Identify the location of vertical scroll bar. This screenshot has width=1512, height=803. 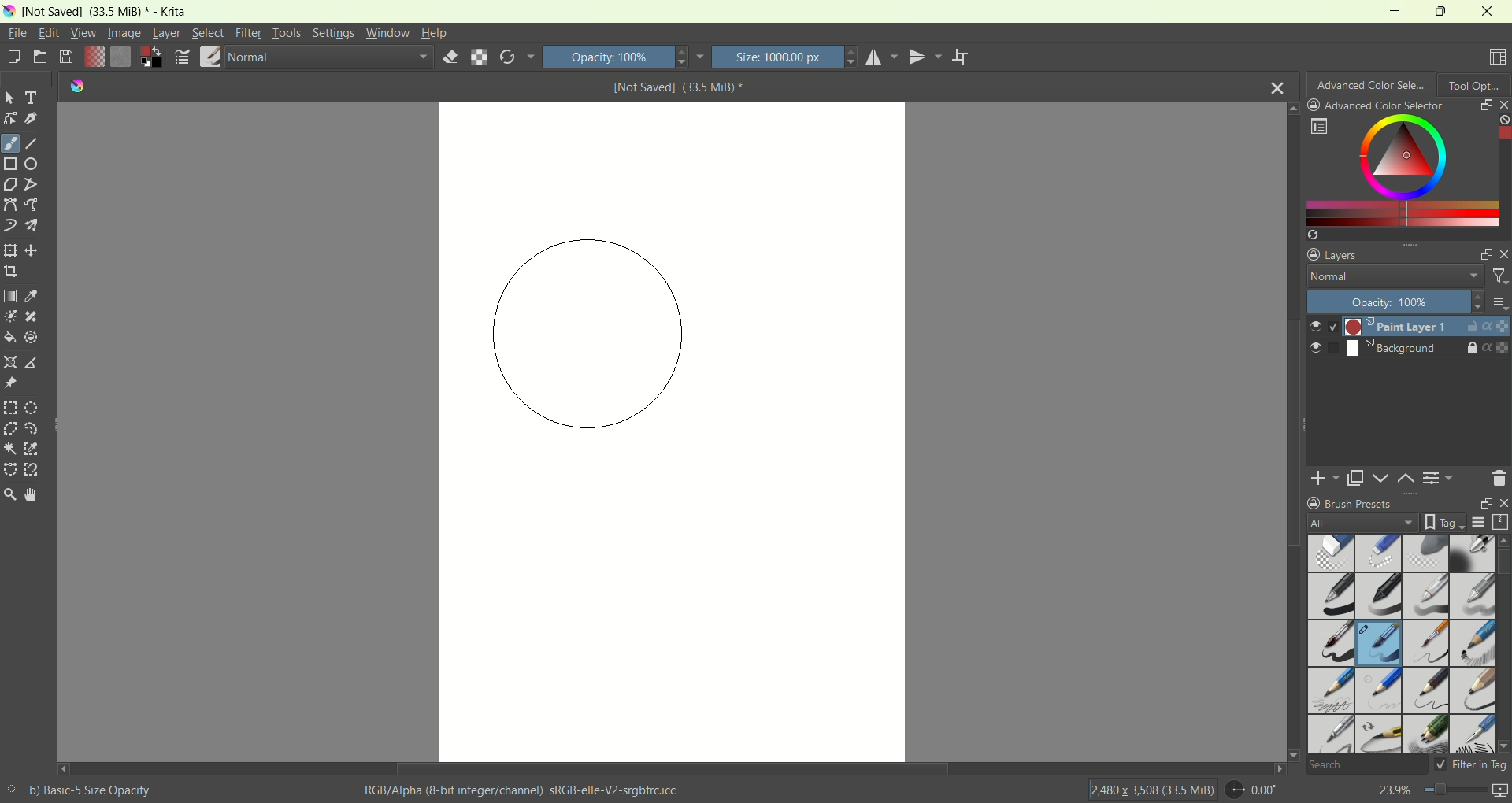
(1290, 431).